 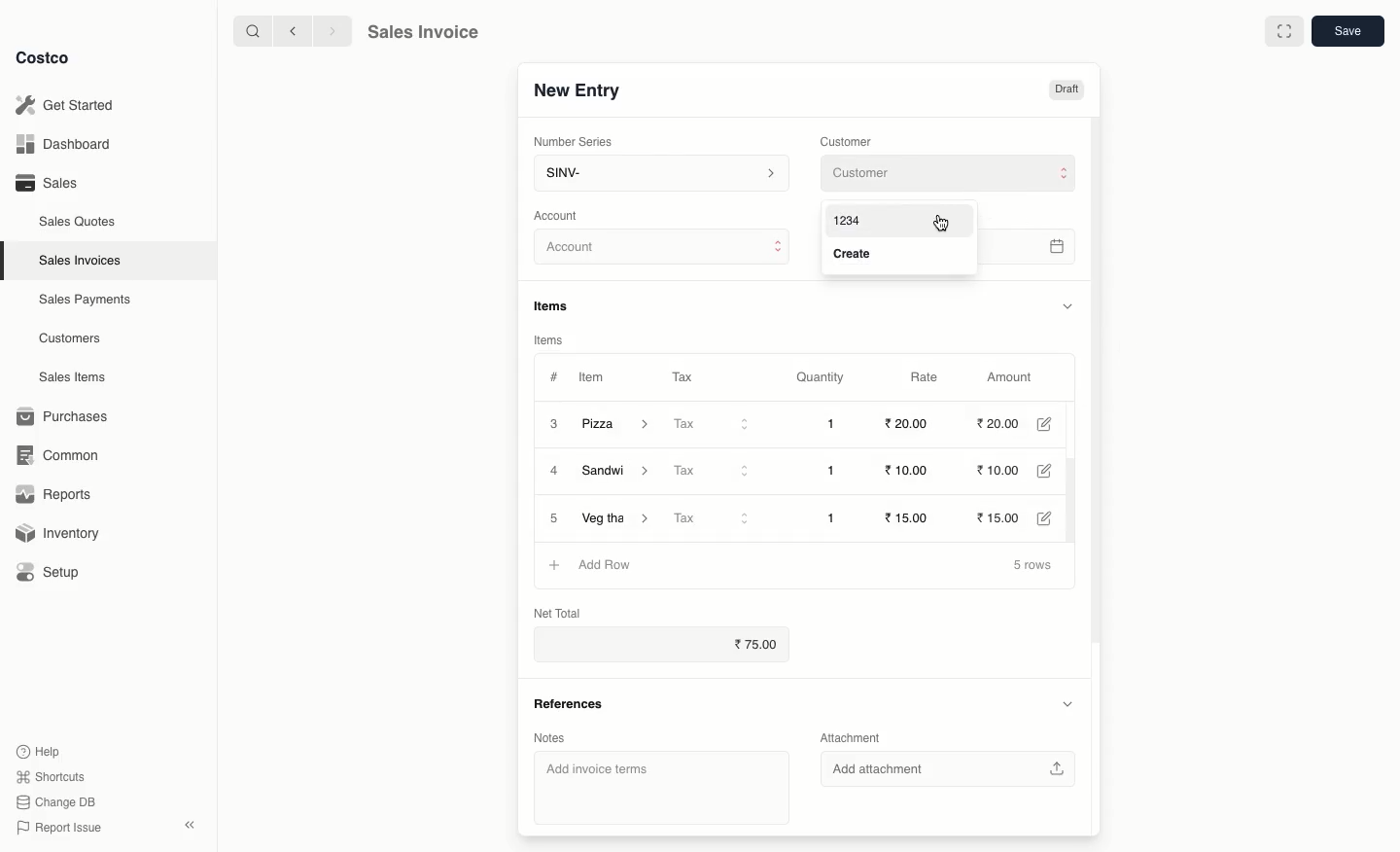 I want to click on Purchases, so click(x=67, y=416).